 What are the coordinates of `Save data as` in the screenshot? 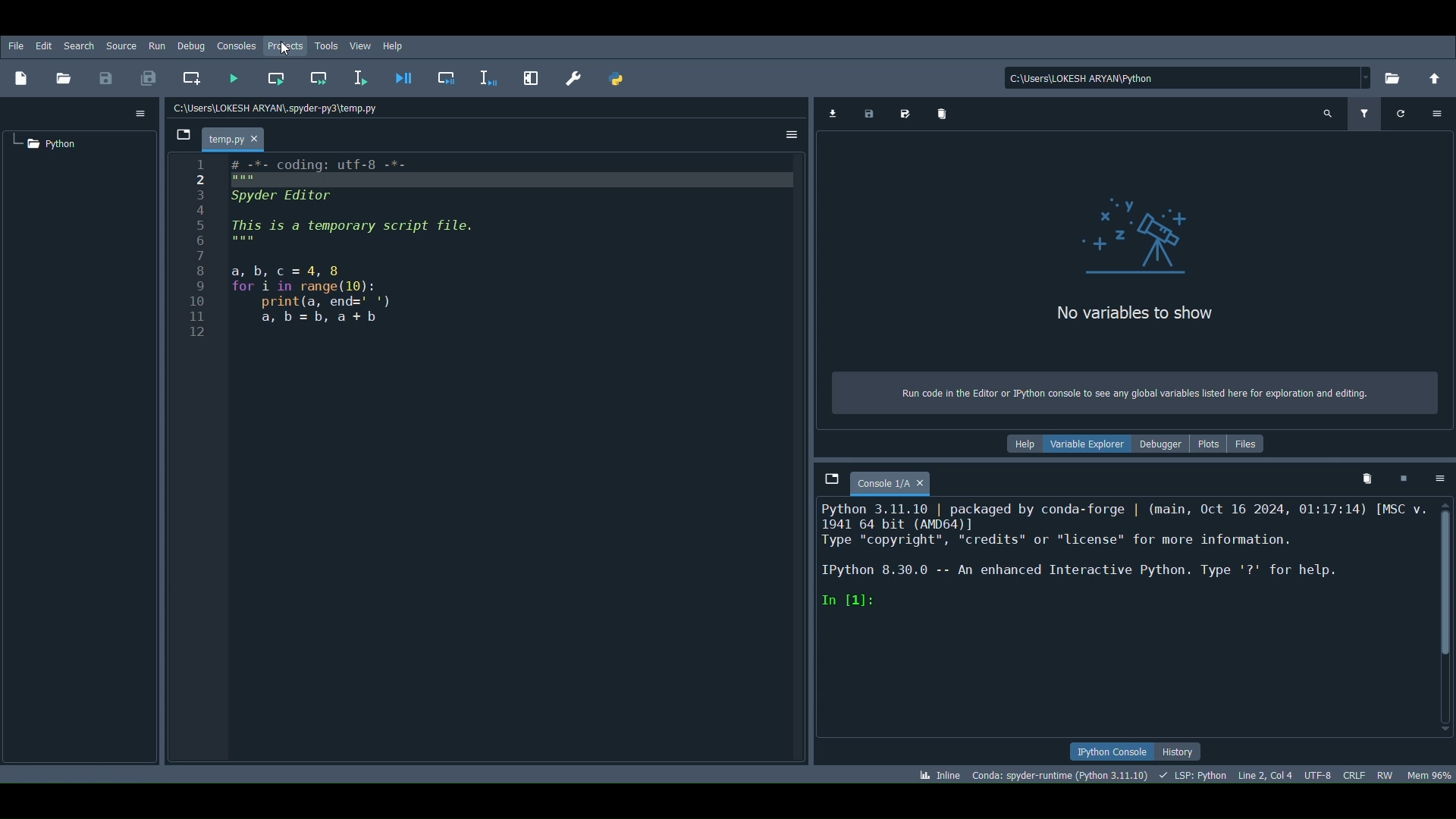 It's located at (905, 113).